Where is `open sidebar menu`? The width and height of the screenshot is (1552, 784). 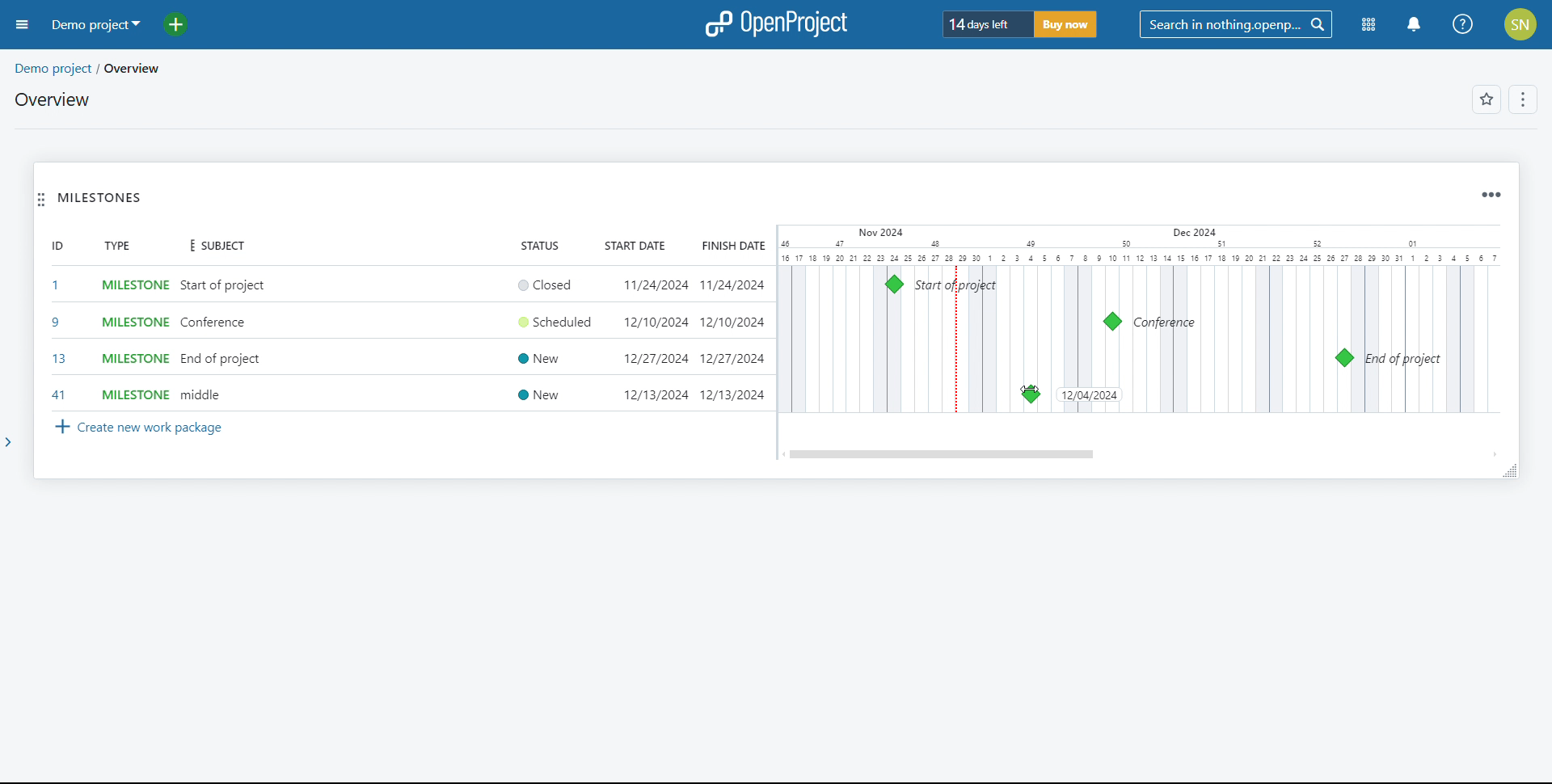 open sidebar menu is located at coordinates (23, 25).